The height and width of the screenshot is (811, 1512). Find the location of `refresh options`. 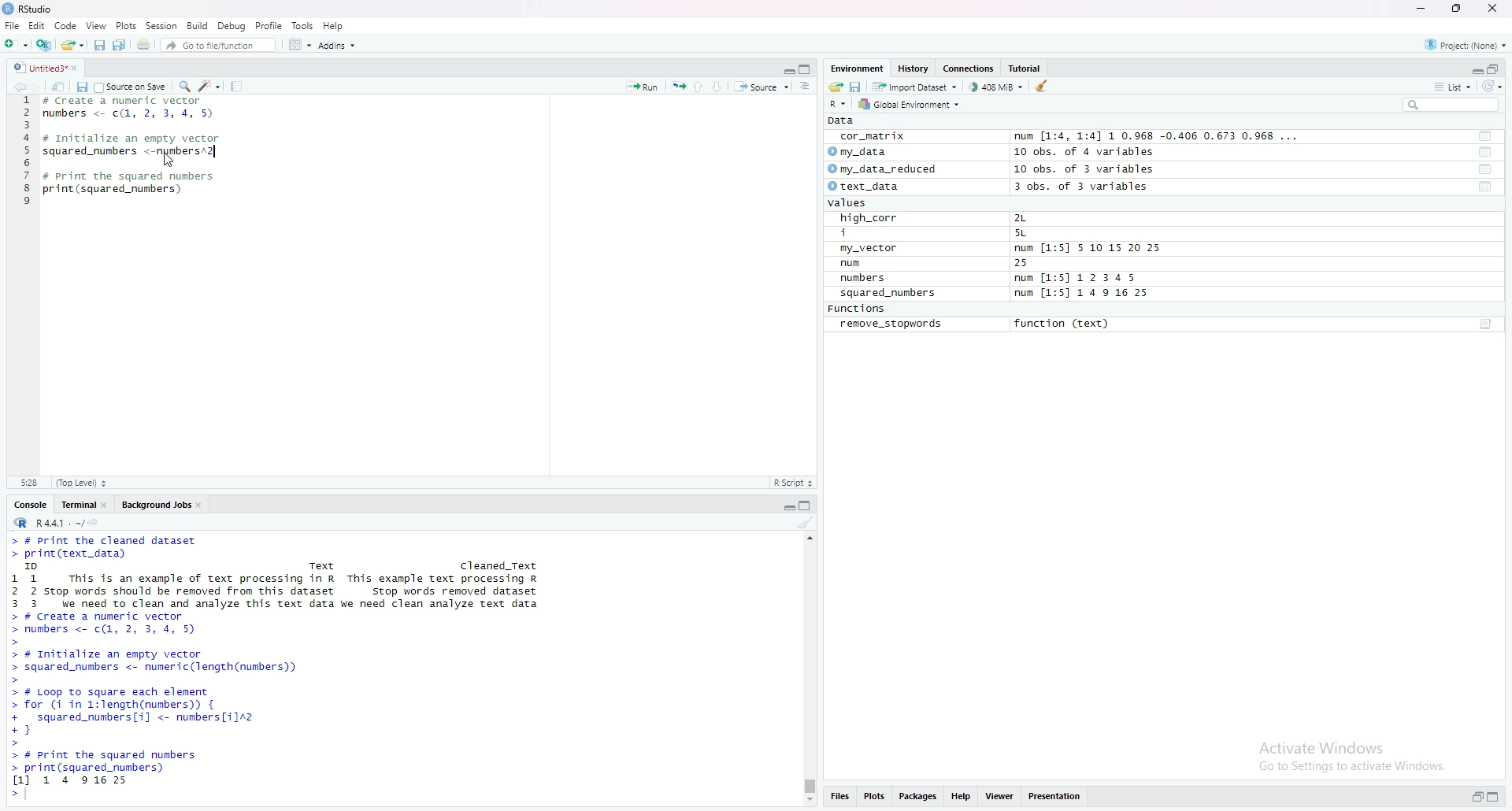

refresh options is located at coordinates (1492, 87).